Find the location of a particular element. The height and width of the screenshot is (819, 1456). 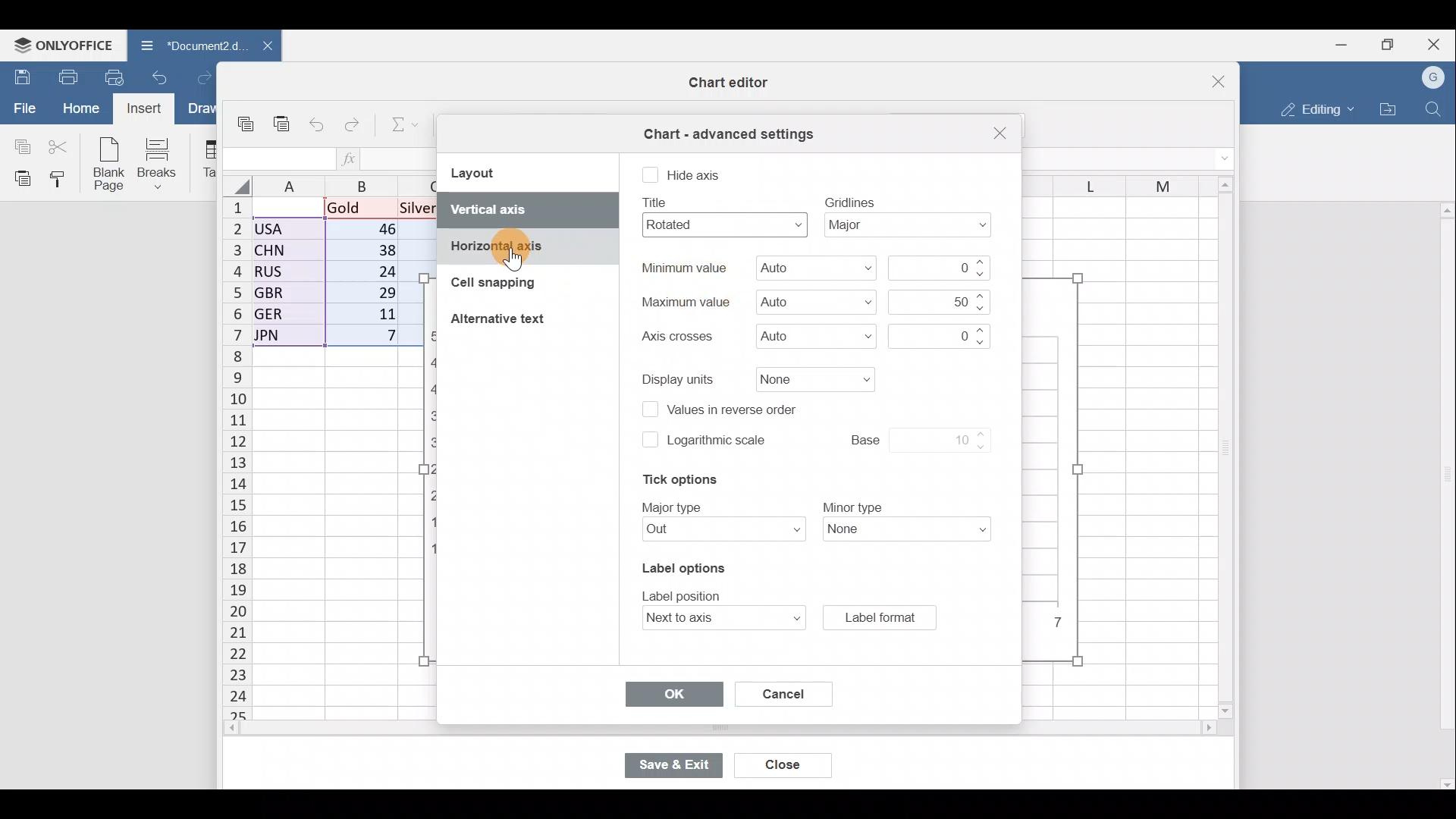

Values in reverse order is located at coordinates (739, 411).